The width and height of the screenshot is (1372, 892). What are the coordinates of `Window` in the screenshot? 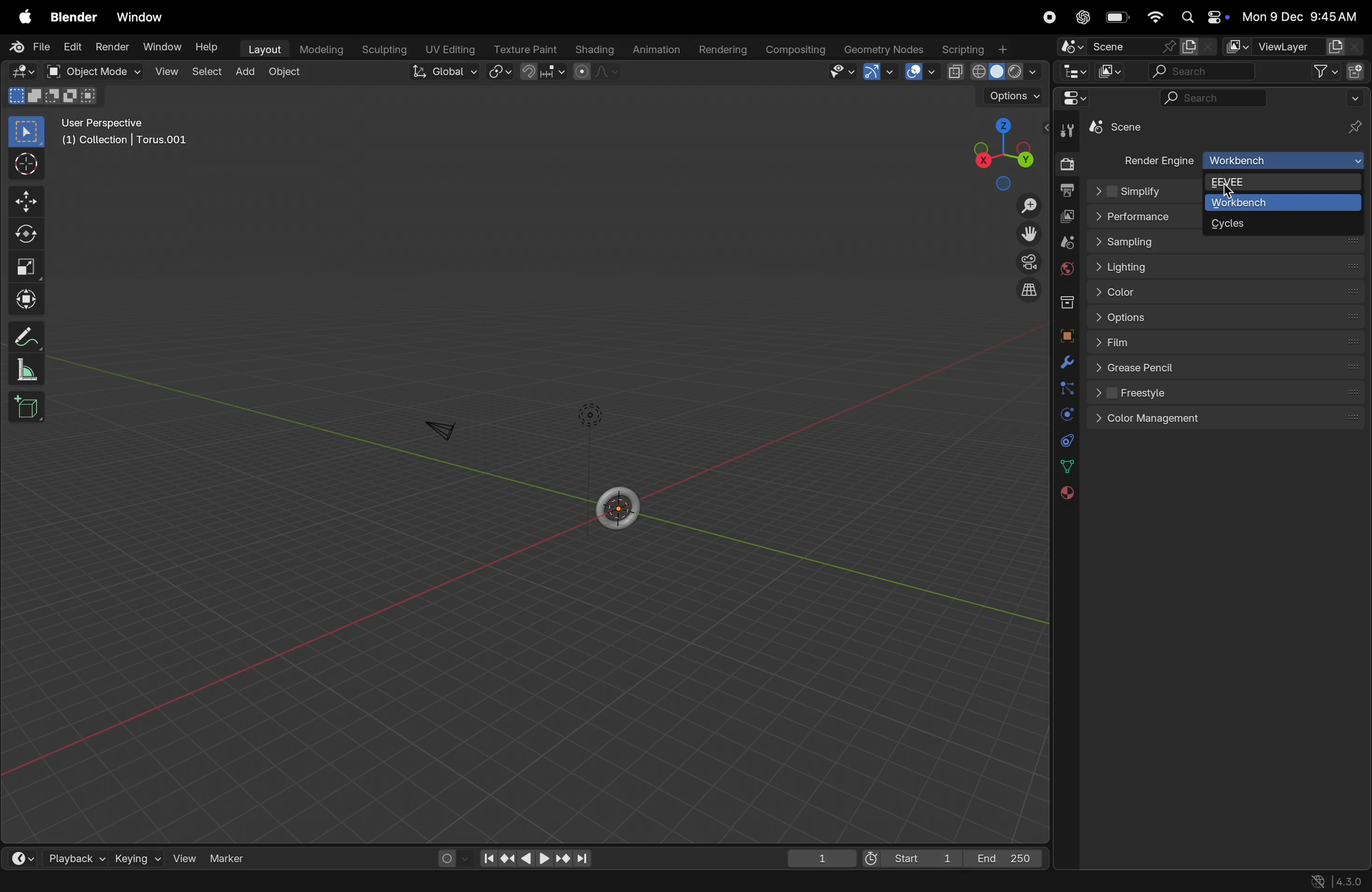 It's located at (165, 44).